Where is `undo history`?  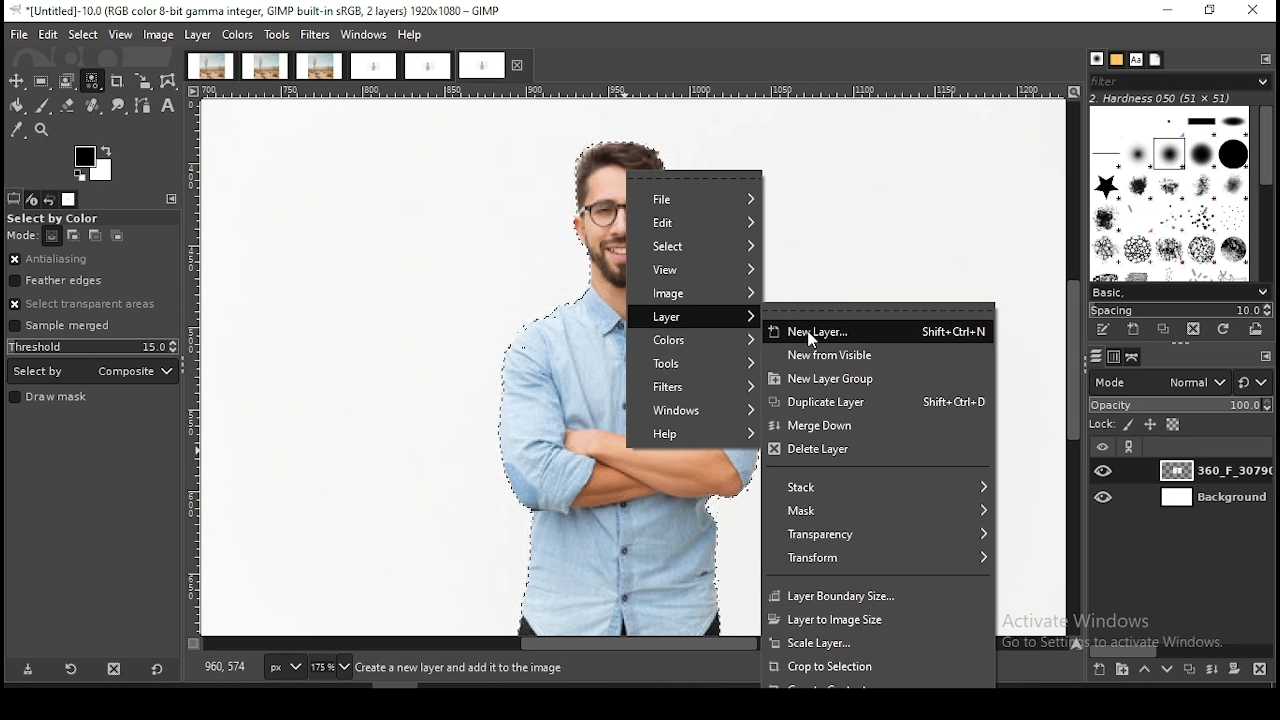 undo history is located at coordinates (49, 200).